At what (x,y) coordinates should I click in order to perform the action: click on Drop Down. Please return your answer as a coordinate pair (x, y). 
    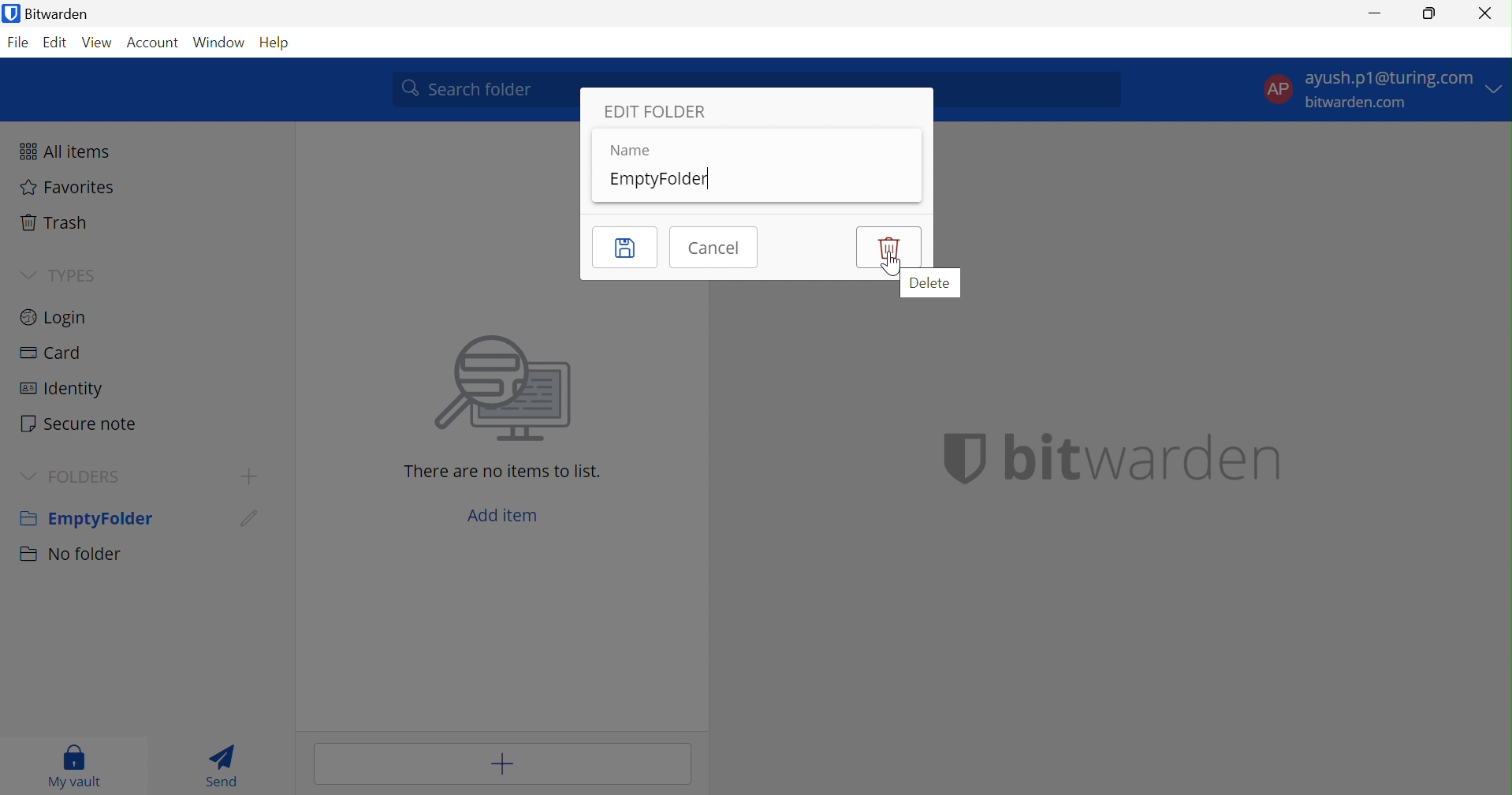
    Looking at the image, I should click on (30, 478).